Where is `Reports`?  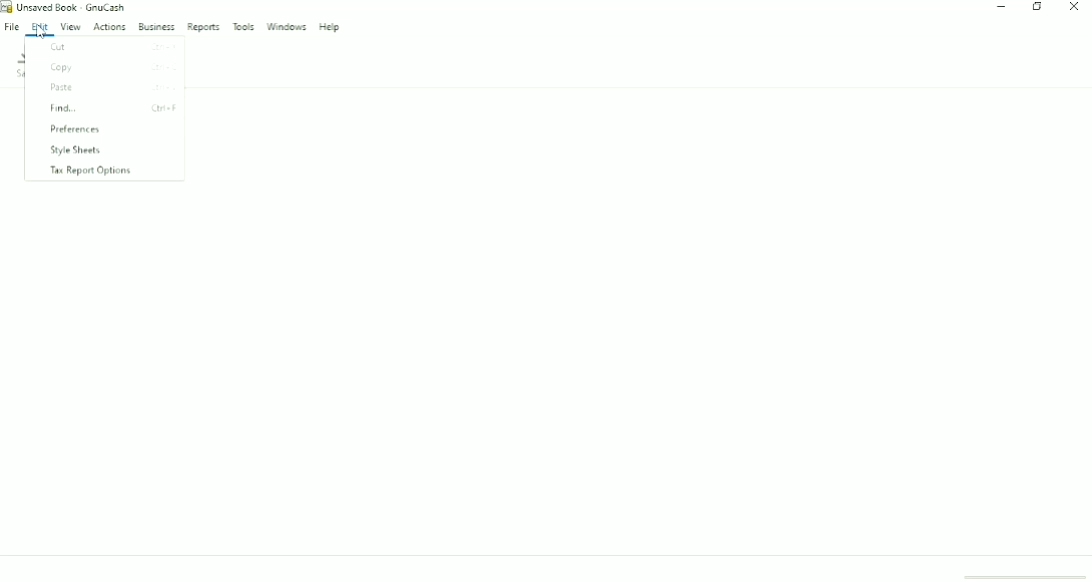
Reports is located at coordinates (203, 28).